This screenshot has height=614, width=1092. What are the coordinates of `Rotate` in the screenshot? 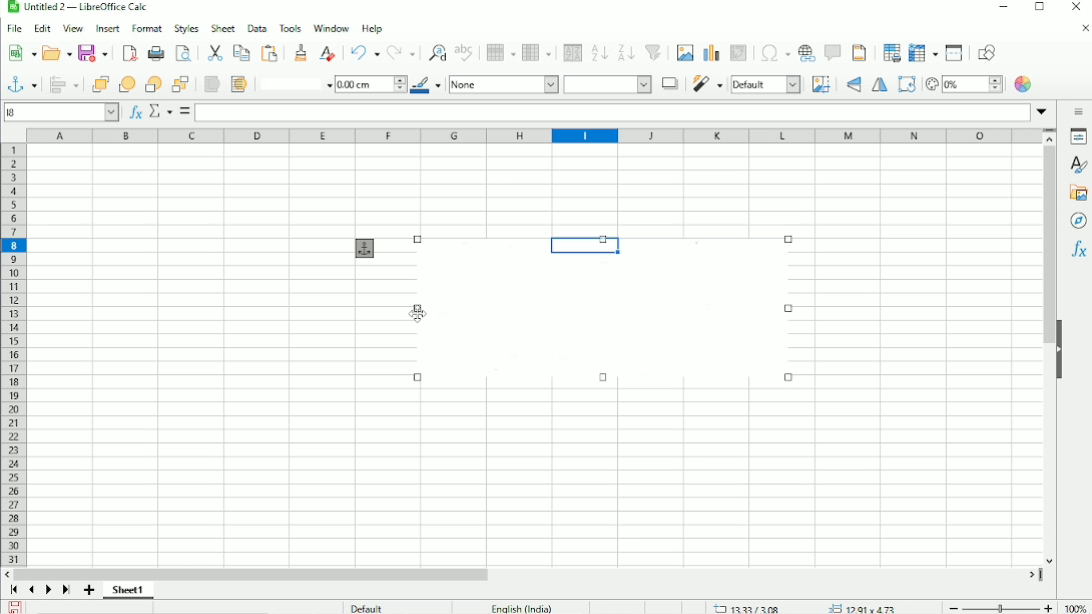 It's located at (906, 84).